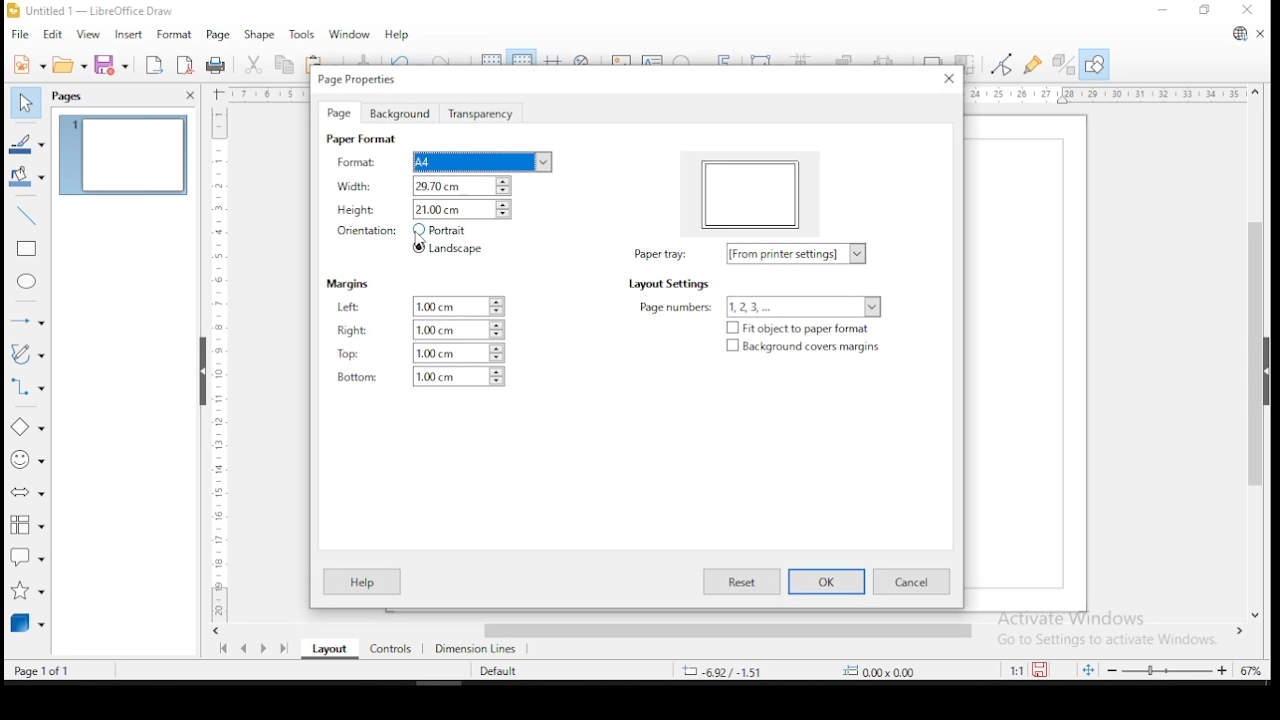 The width and height of the screenshot is (1280, 720). Describe the element at coordinates (947, 78) in the screenshot. I see `close` at that location.